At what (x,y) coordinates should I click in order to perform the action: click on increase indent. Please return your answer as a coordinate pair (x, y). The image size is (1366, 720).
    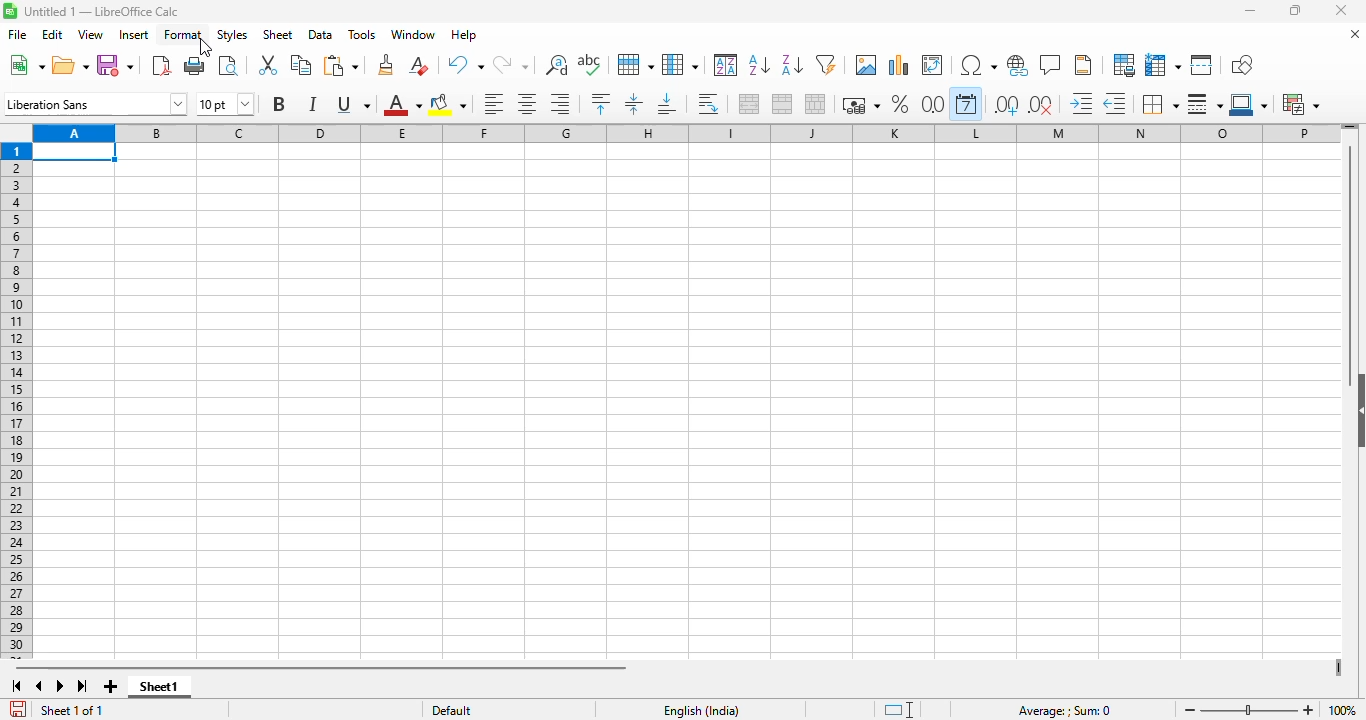
    Looking at the image, I should click on (1081, 103).